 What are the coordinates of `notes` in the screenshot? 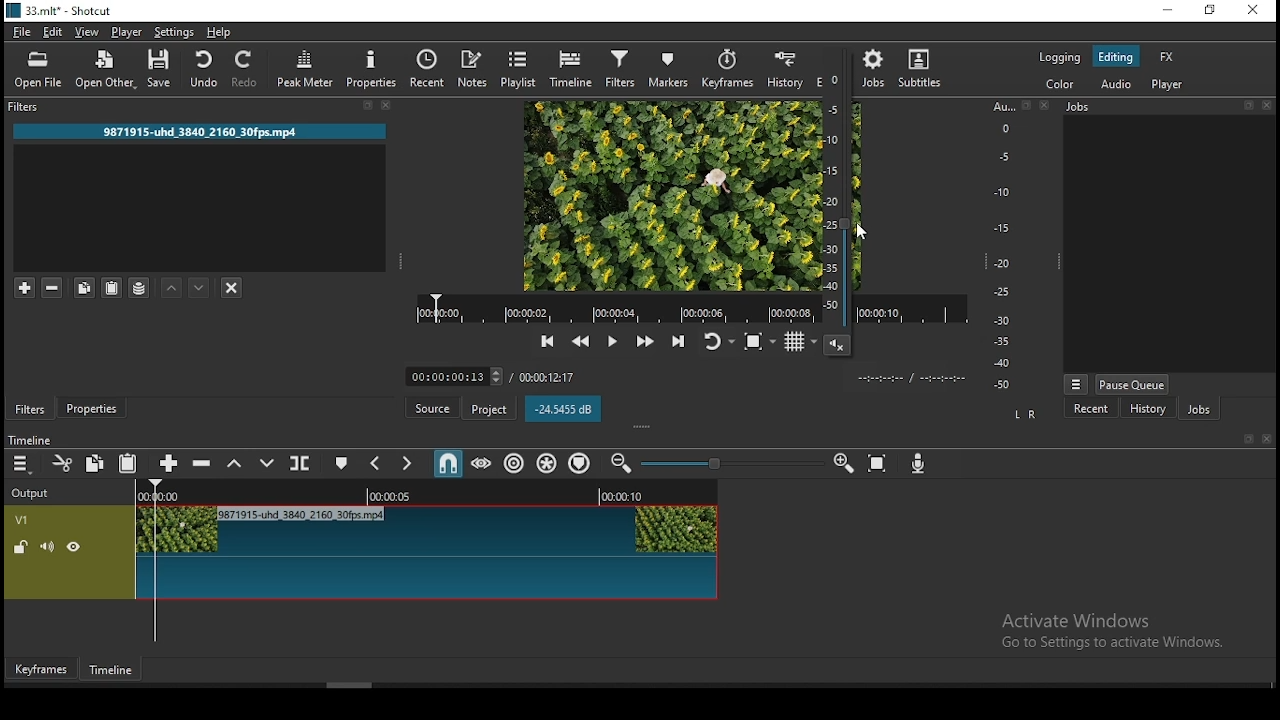 It's located at (473, 68).